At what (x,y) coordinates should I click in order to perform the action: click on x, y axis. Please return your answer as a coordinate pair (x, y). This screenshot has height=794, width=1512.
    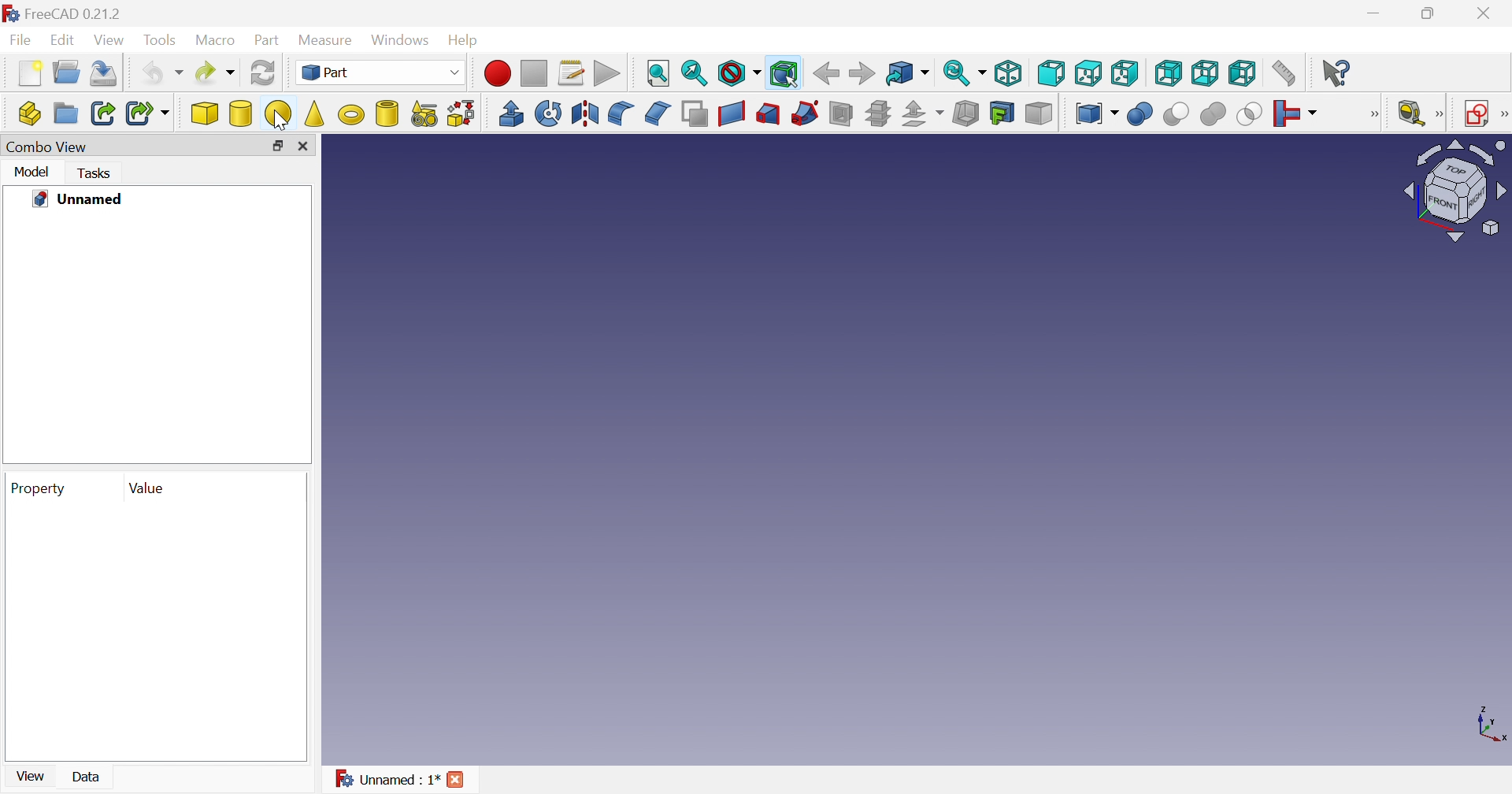
    Looking at the image, I should click on (1489, 724).